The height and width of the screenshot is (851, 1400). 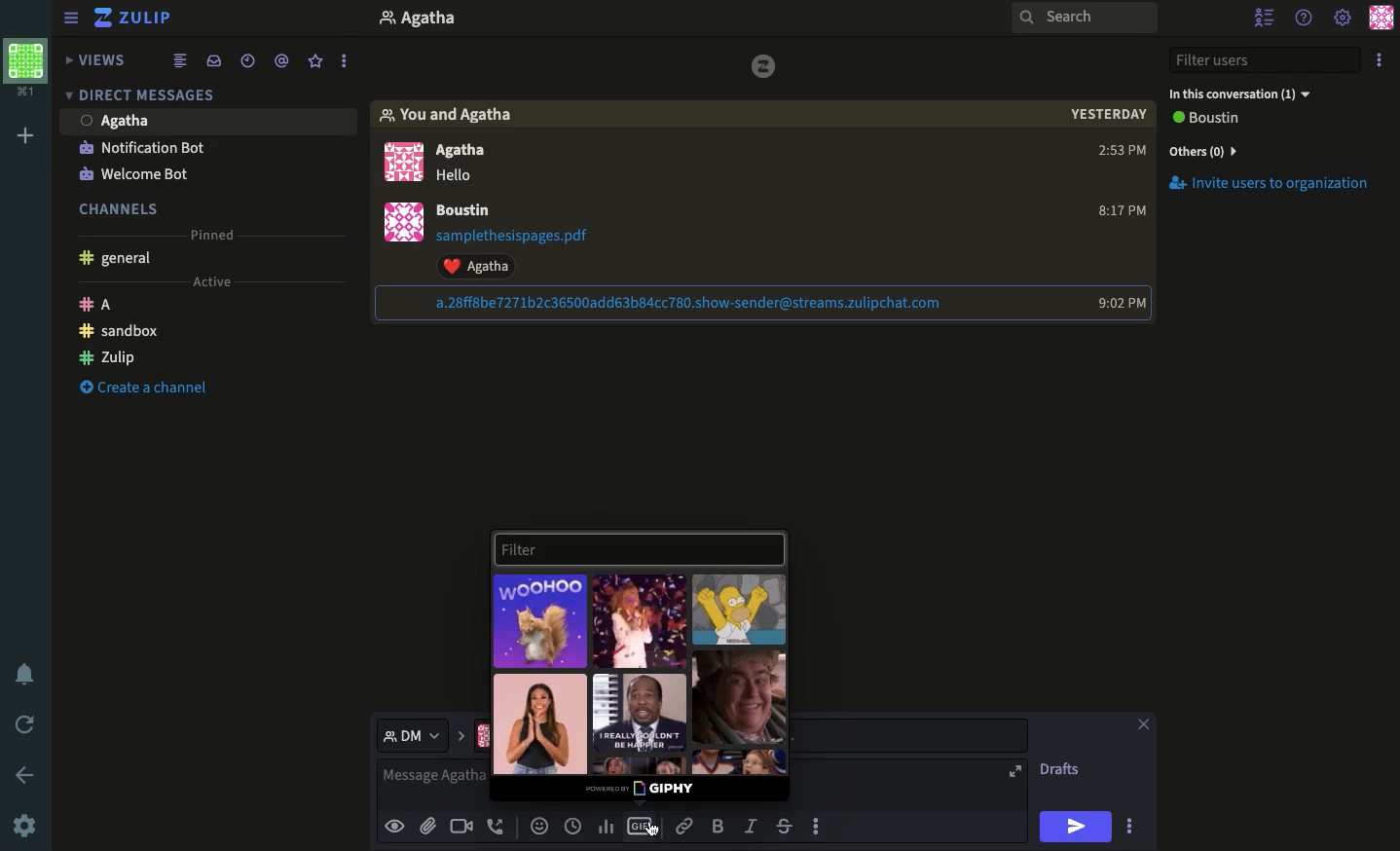 I want to click on search, so click(x=1085, y=23).